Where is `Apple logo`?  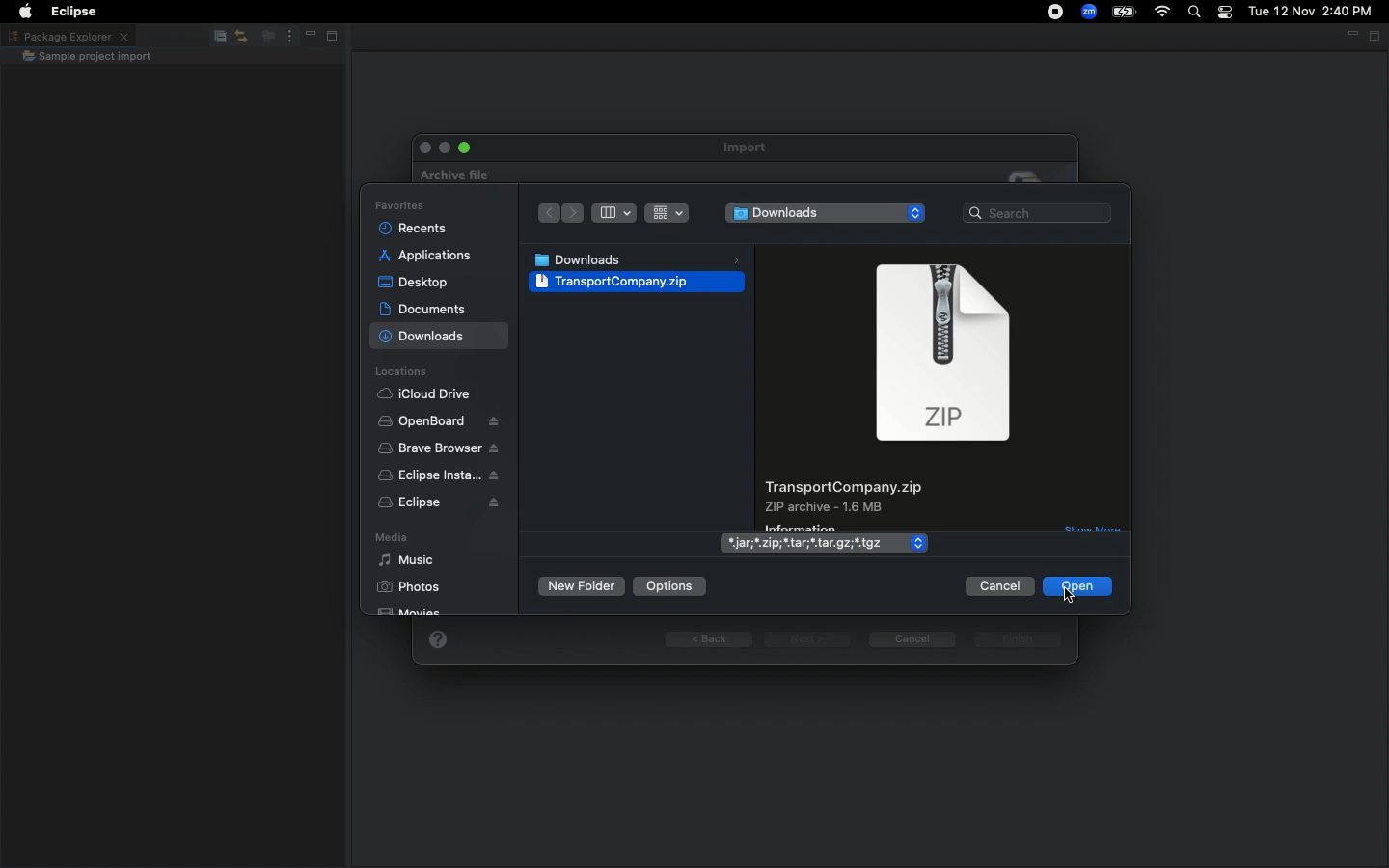 Apple logo is located at coordinates (25, 10).